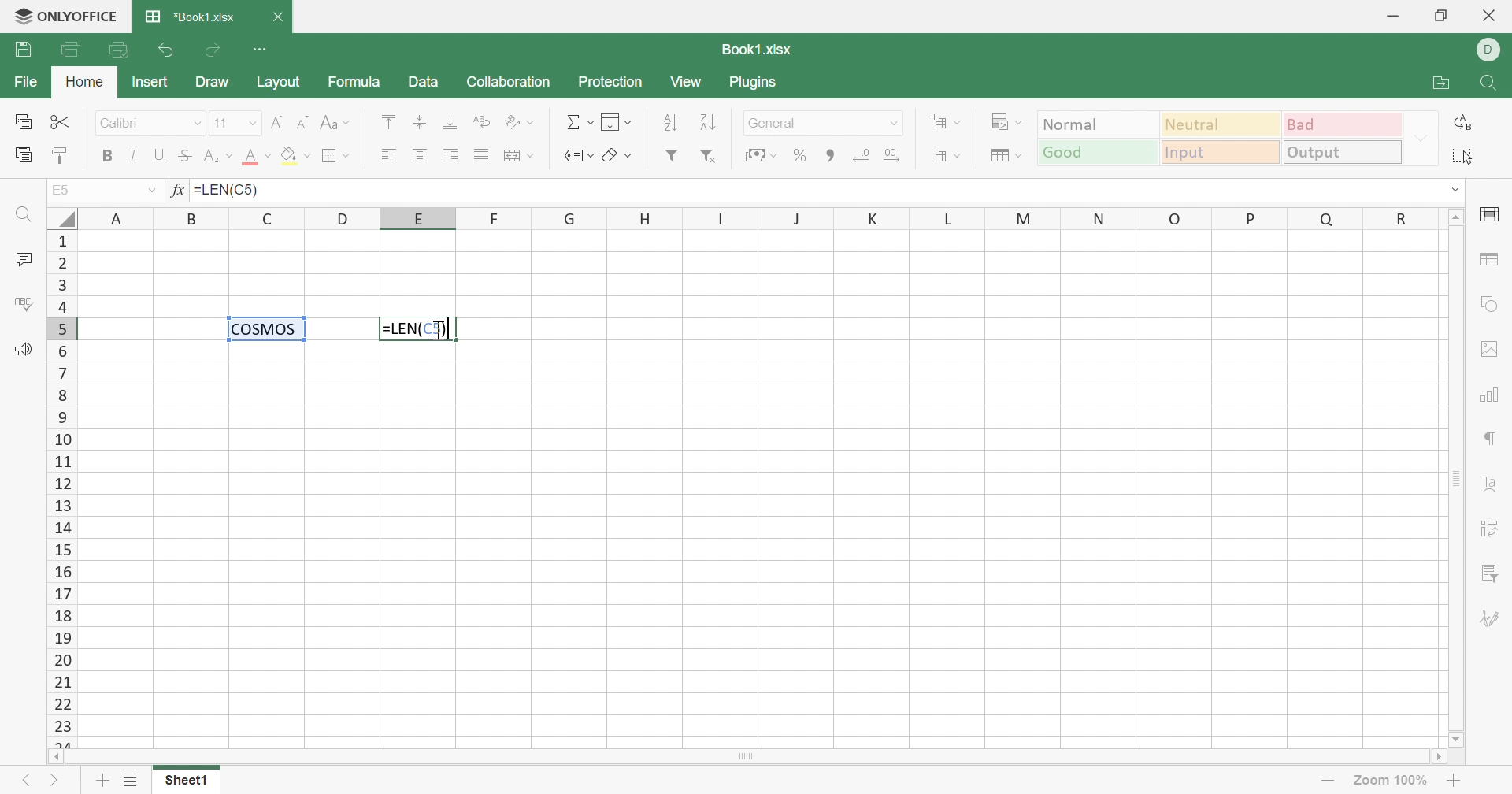  I want to click on Plugins, so click(754, 82).